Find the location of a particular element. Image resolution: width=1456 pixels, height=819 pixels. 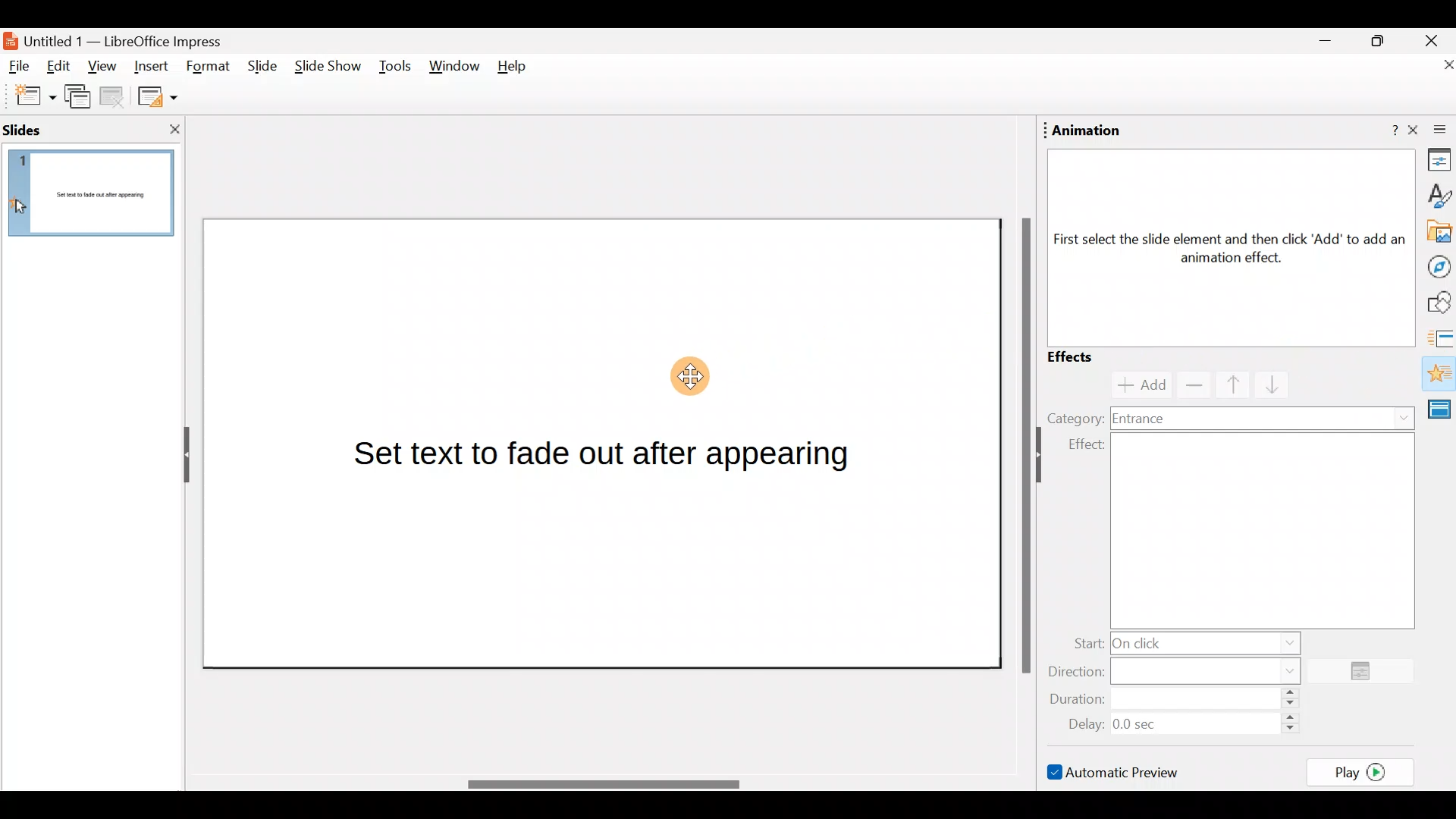

Entrance is located at coordinates (1265, 417).